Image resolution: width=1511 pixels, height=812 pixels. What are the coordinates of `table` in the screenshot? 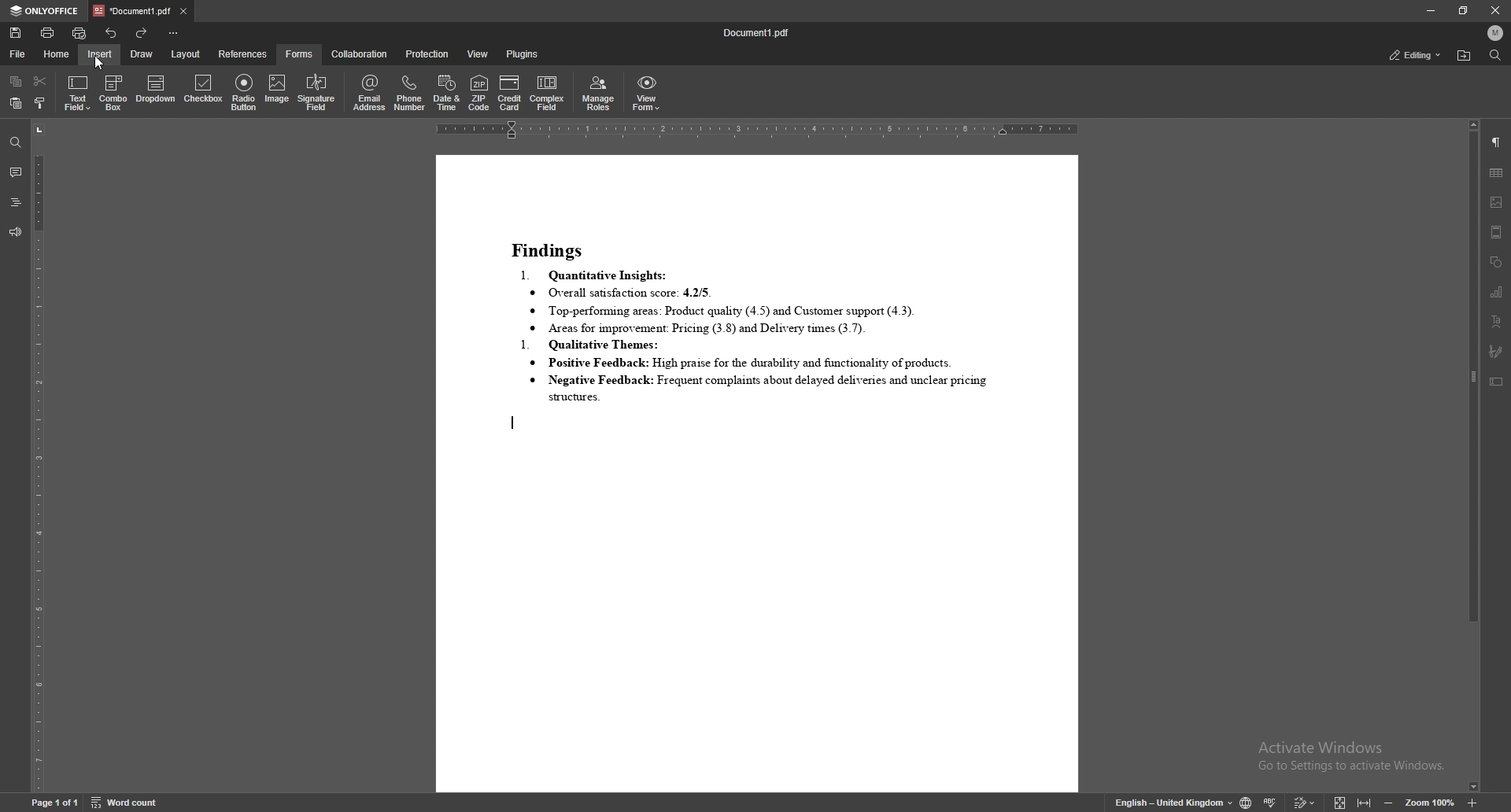 It's located at (1497, 173).